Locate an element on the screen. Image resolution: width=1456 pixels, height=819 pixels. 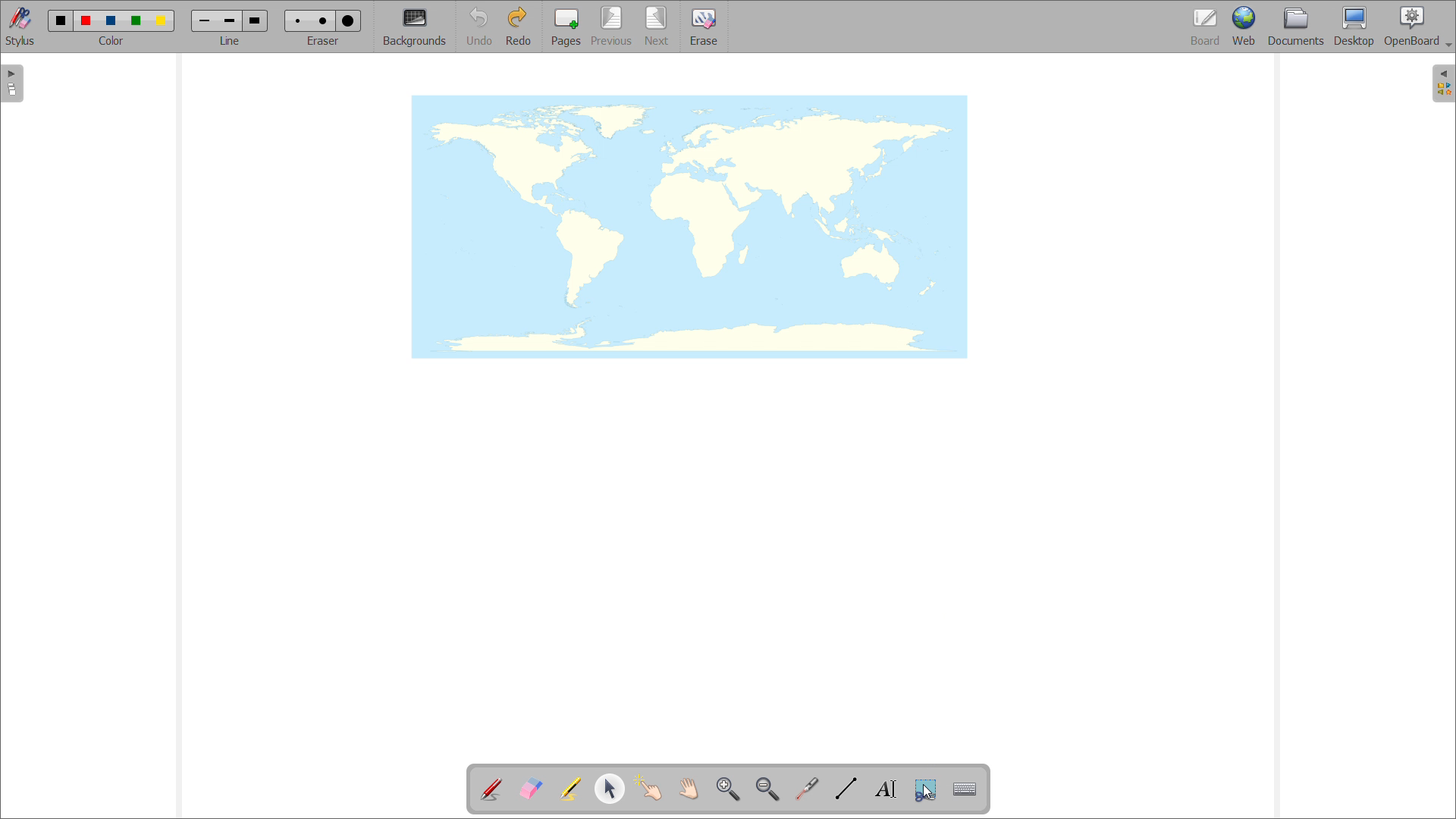
board is located at coordinates (1207, 27).